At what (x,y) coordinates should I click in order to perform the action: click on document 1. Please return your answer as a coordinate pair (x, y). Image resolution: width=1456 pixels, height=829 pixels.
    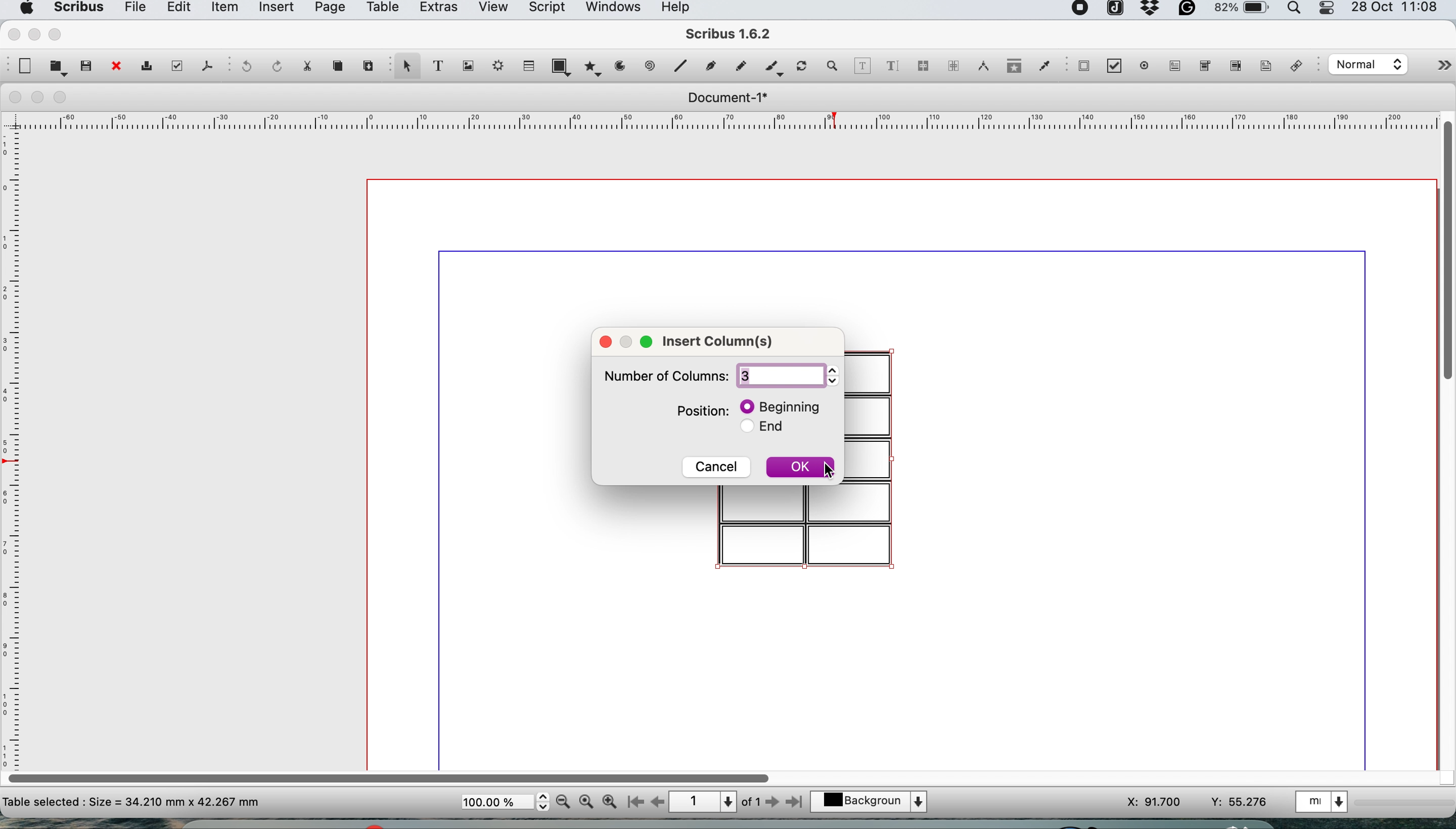
    Looking at the image, I should click on (727, 98).